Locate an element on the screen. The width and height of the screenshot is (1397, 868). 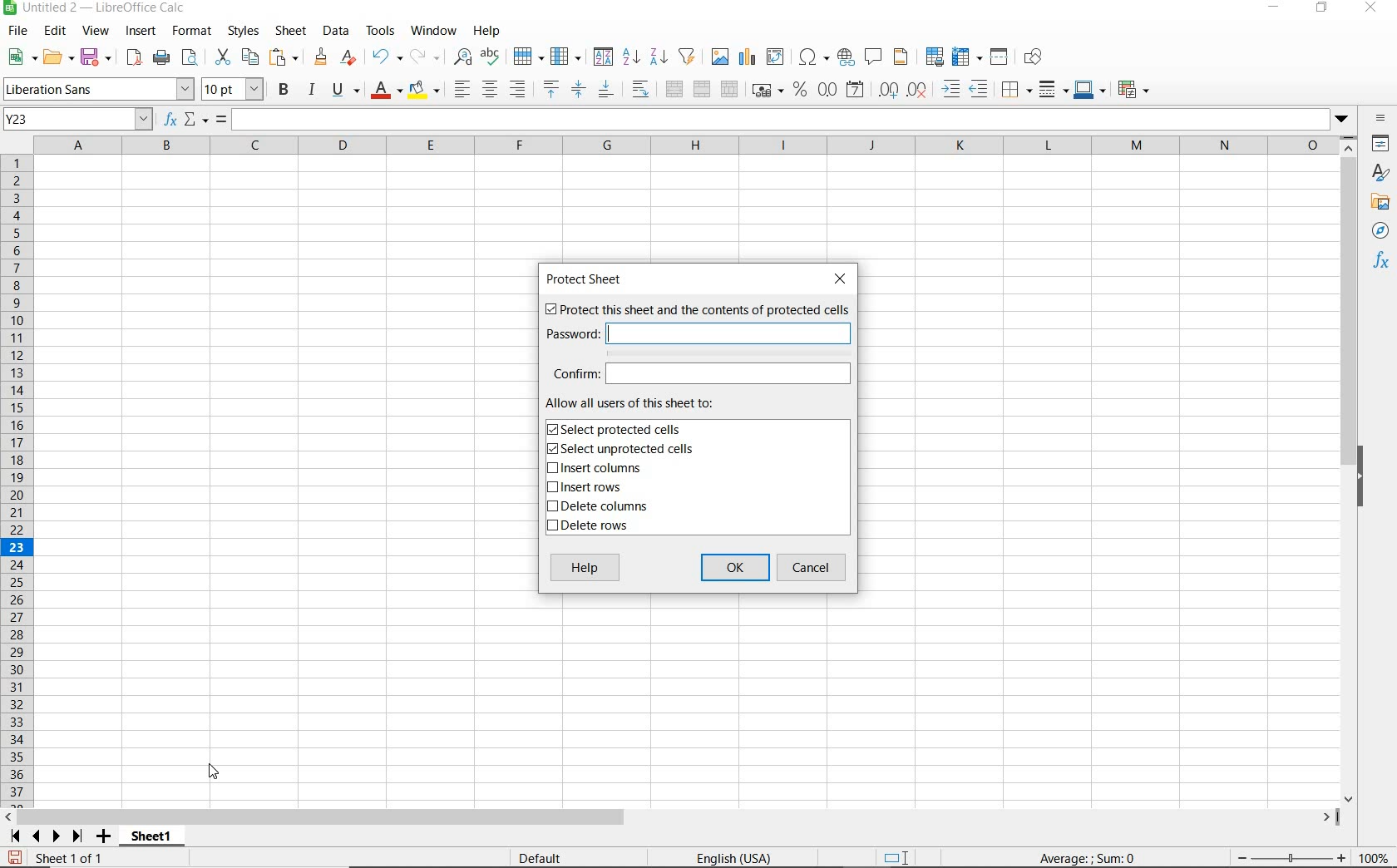
INSERT ROWS is located at coordinates (590, 488).